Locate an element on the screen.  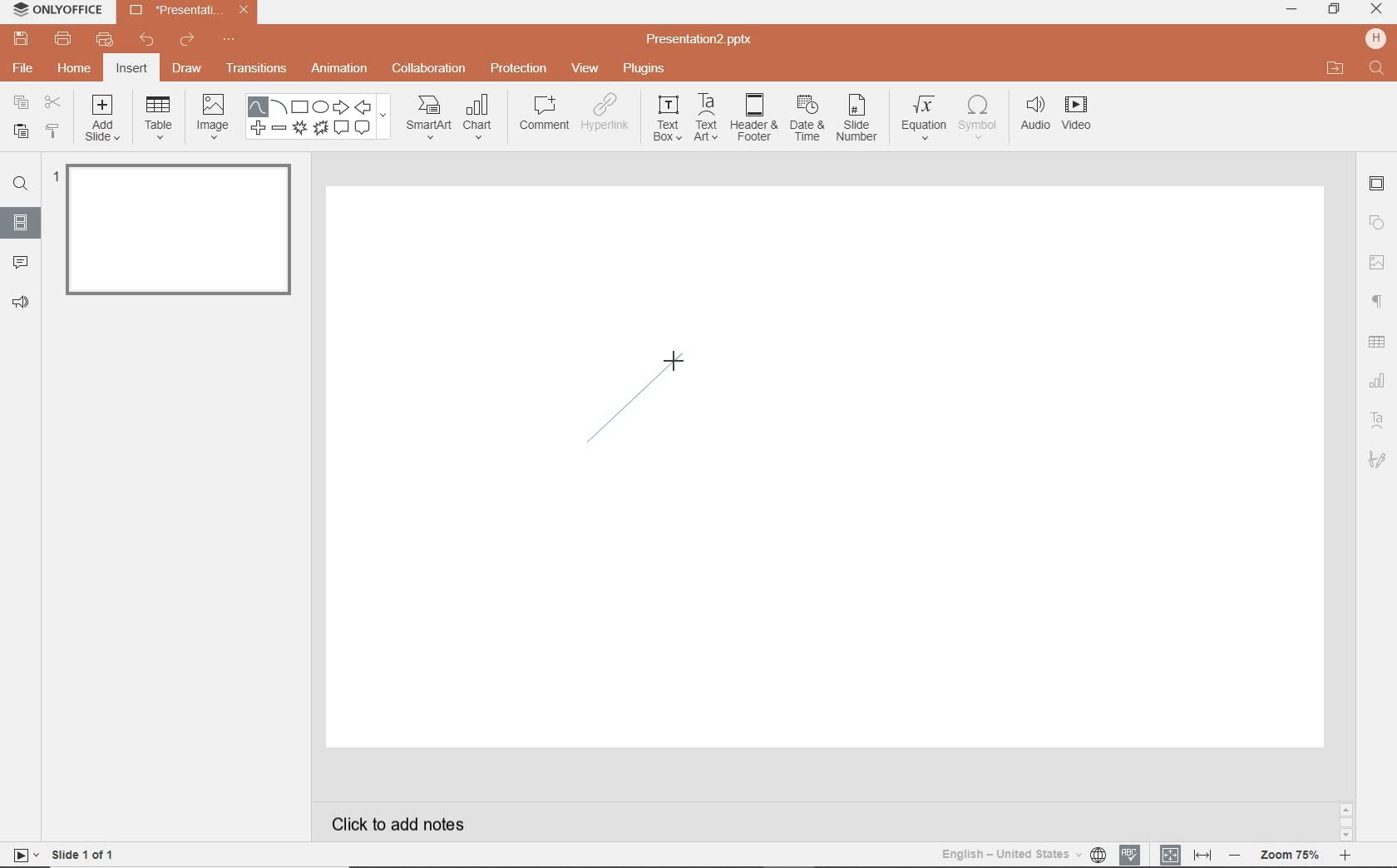
COLLABORATION is located at coordinates (429, 67).